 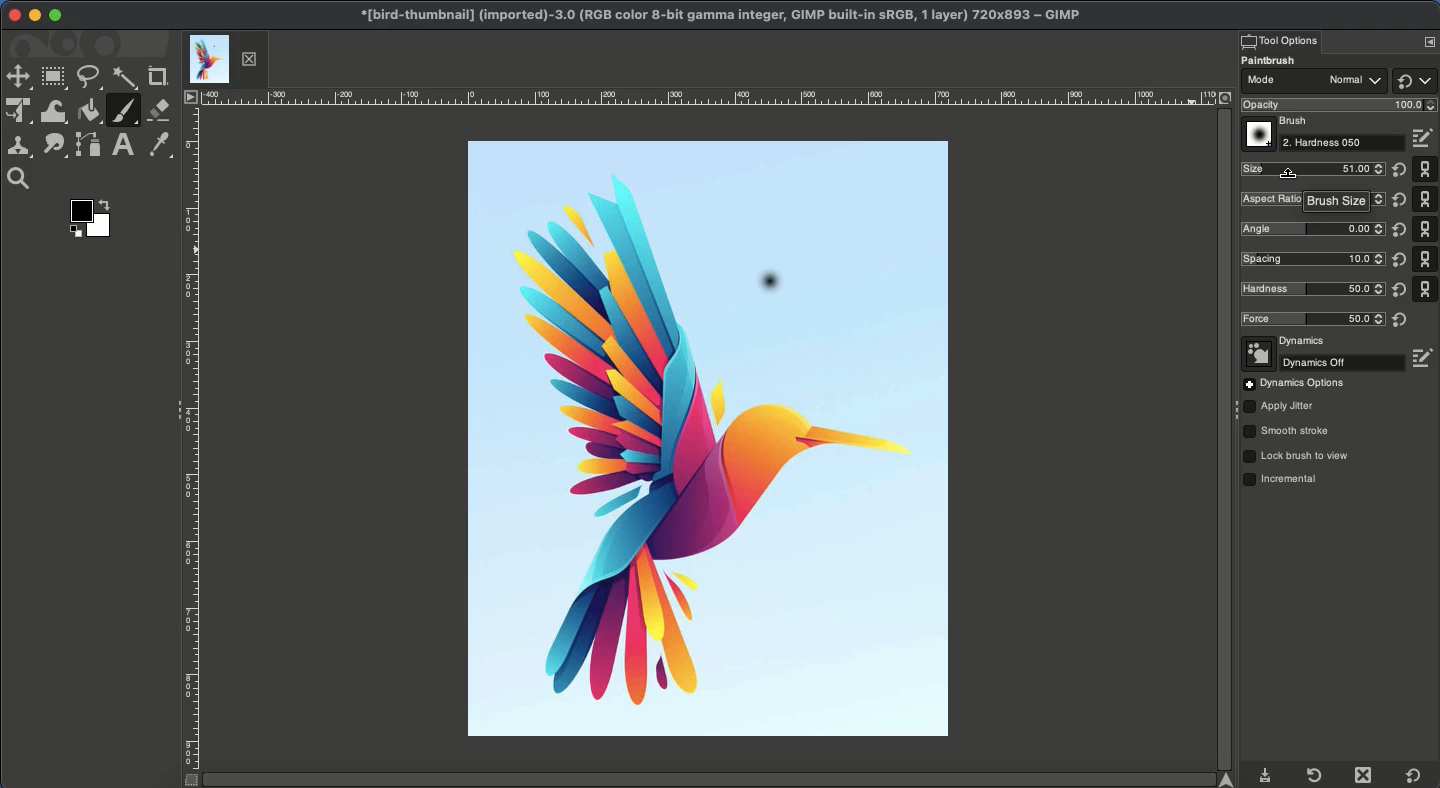 What do you see at coordinates (19, 149) in the screenshot?
I see `Clone` at bounding box center [19, 149].